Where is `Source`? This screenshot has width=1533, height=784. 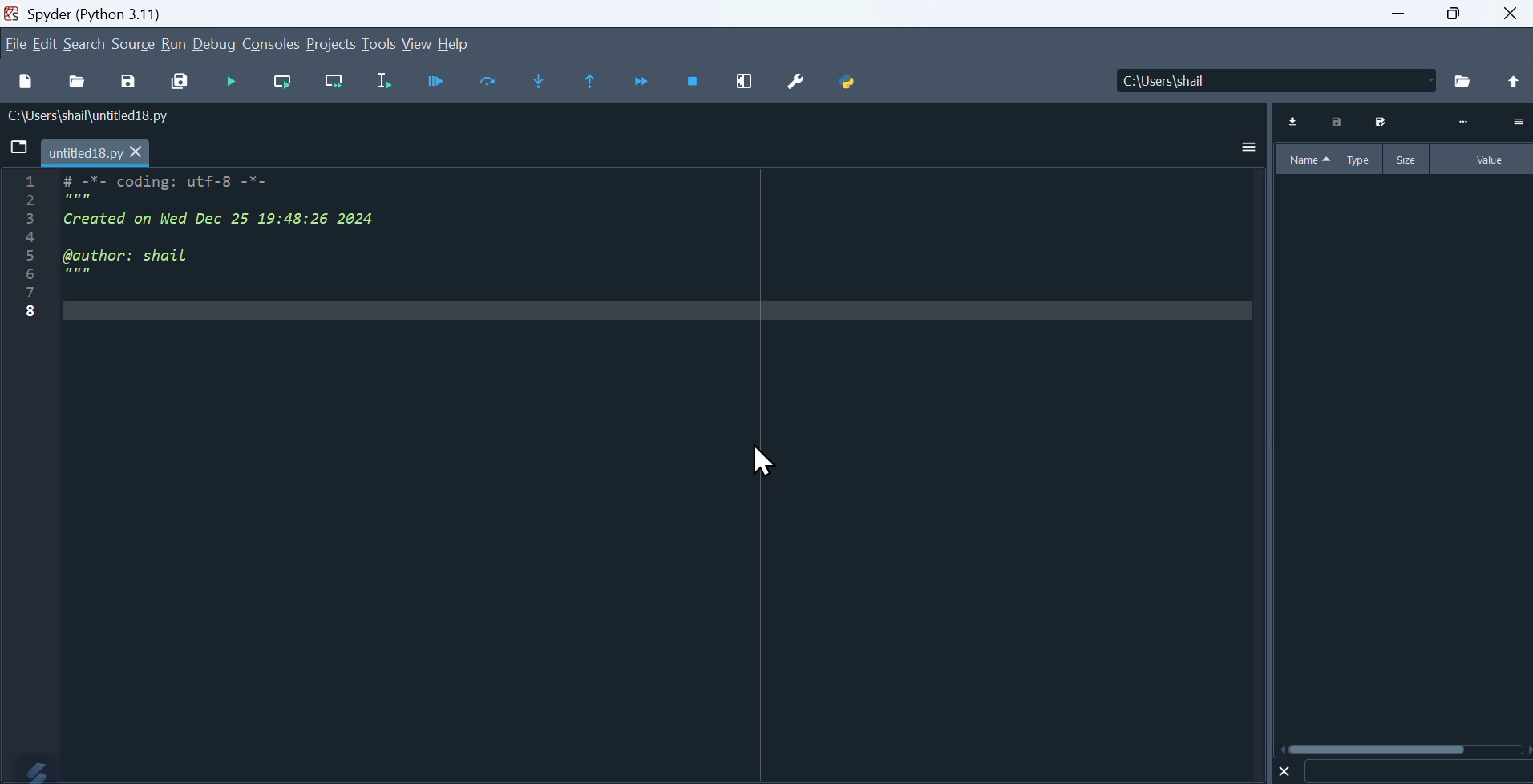
Source is located at coordinates (134, 43).